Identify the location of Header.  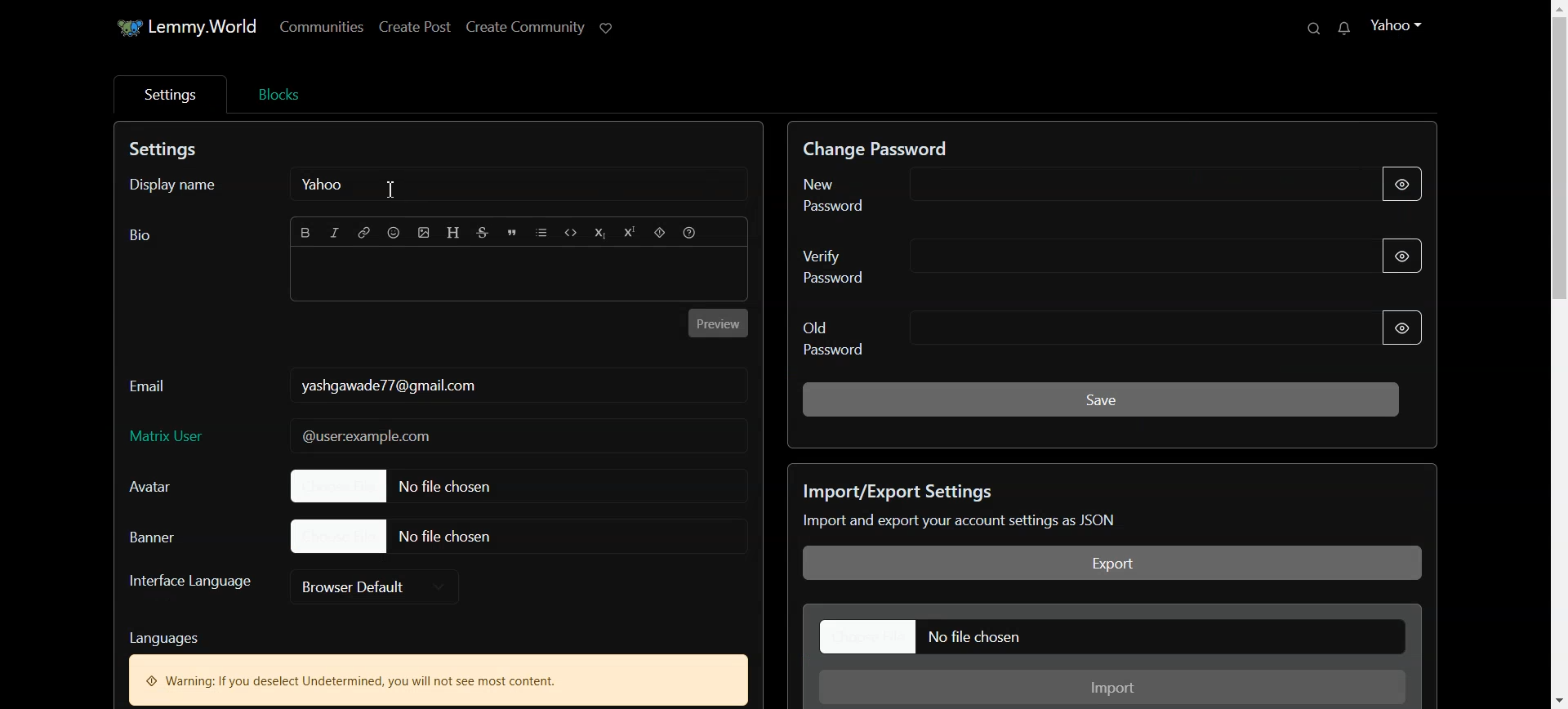
(455, 233).